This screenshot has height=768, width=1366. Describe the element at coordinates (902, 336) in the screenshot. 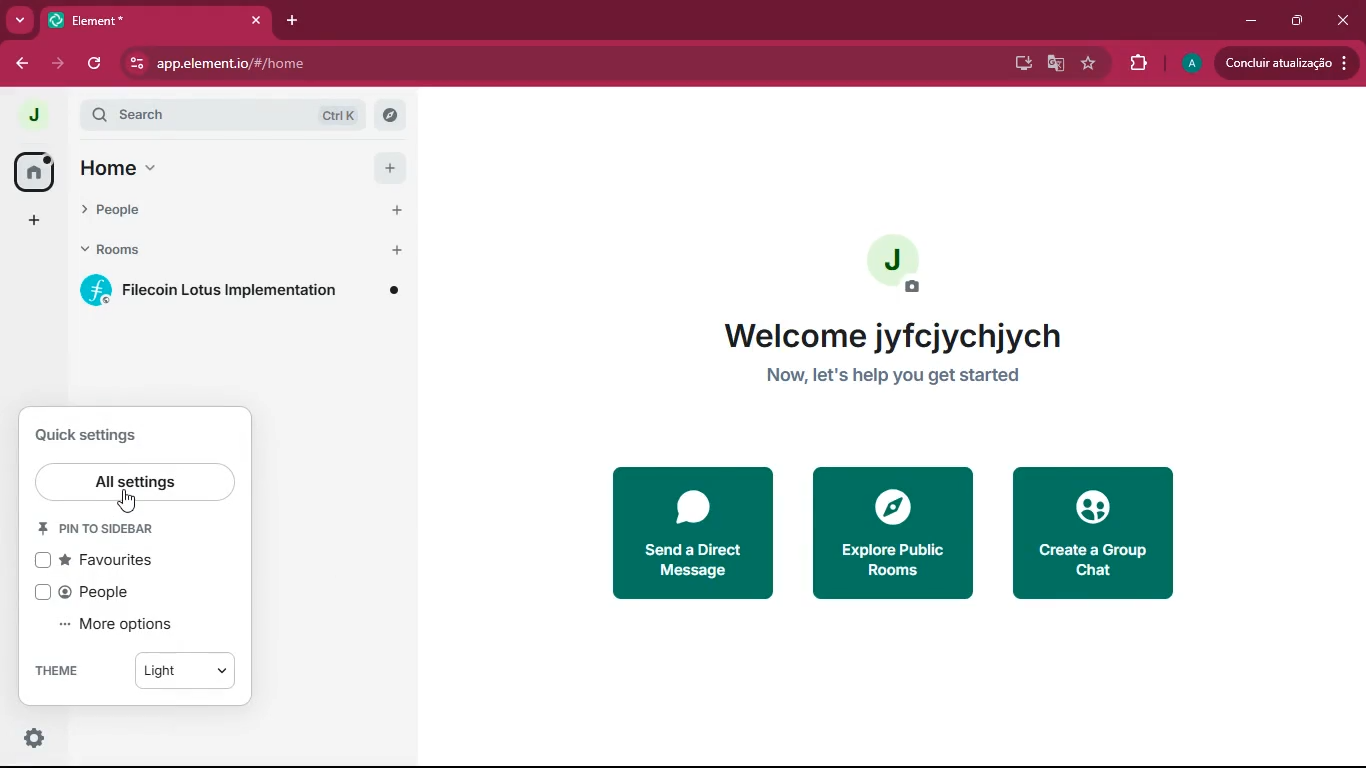

I see `Welcome jyfcjychjych` at that location.